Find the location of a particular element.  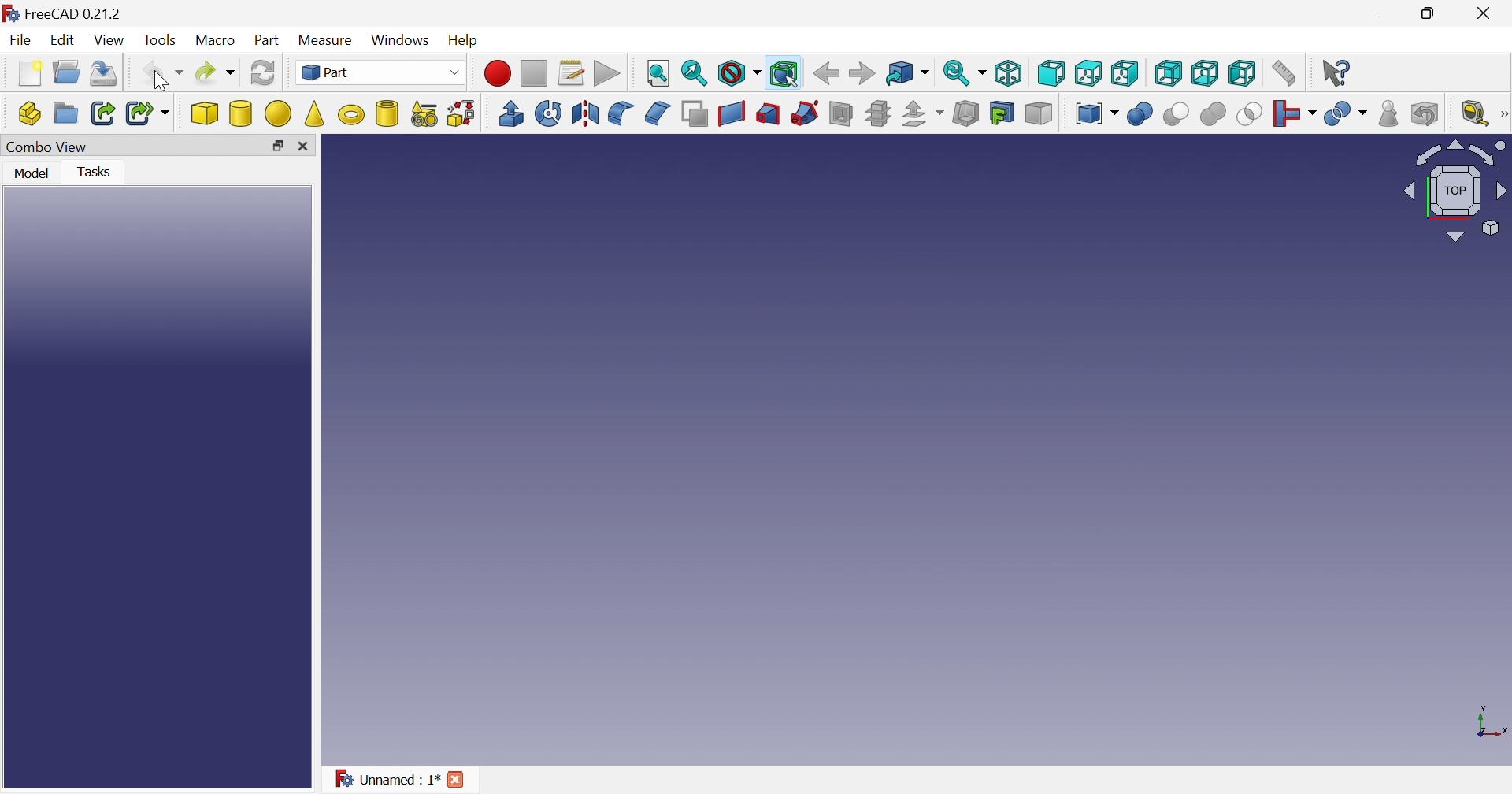

FreeCAD 0.21.2 is located at coordinates (65, 13).